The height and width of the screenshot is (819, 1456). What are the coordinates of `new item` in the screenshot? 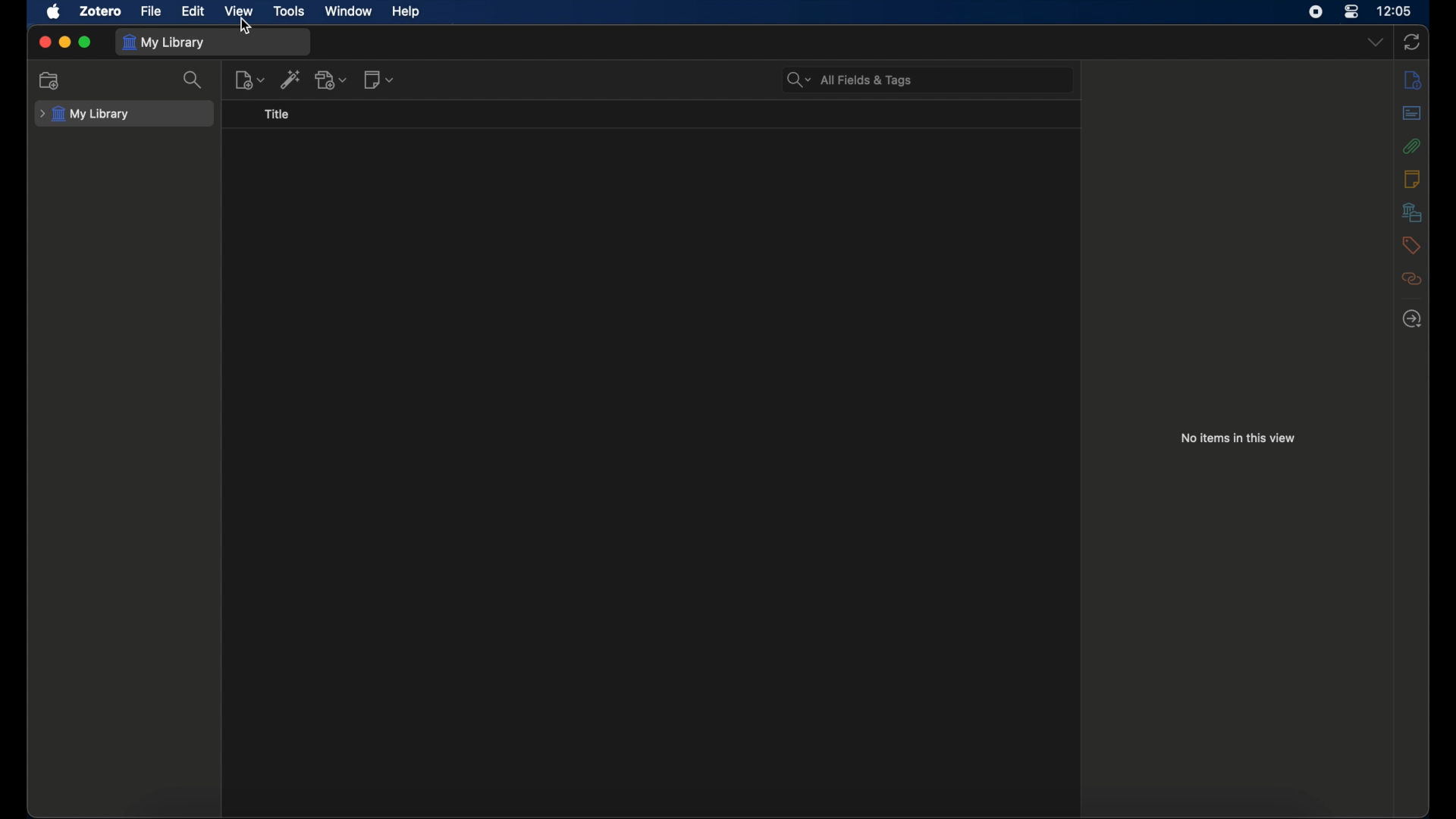 It's located at (249, 80).